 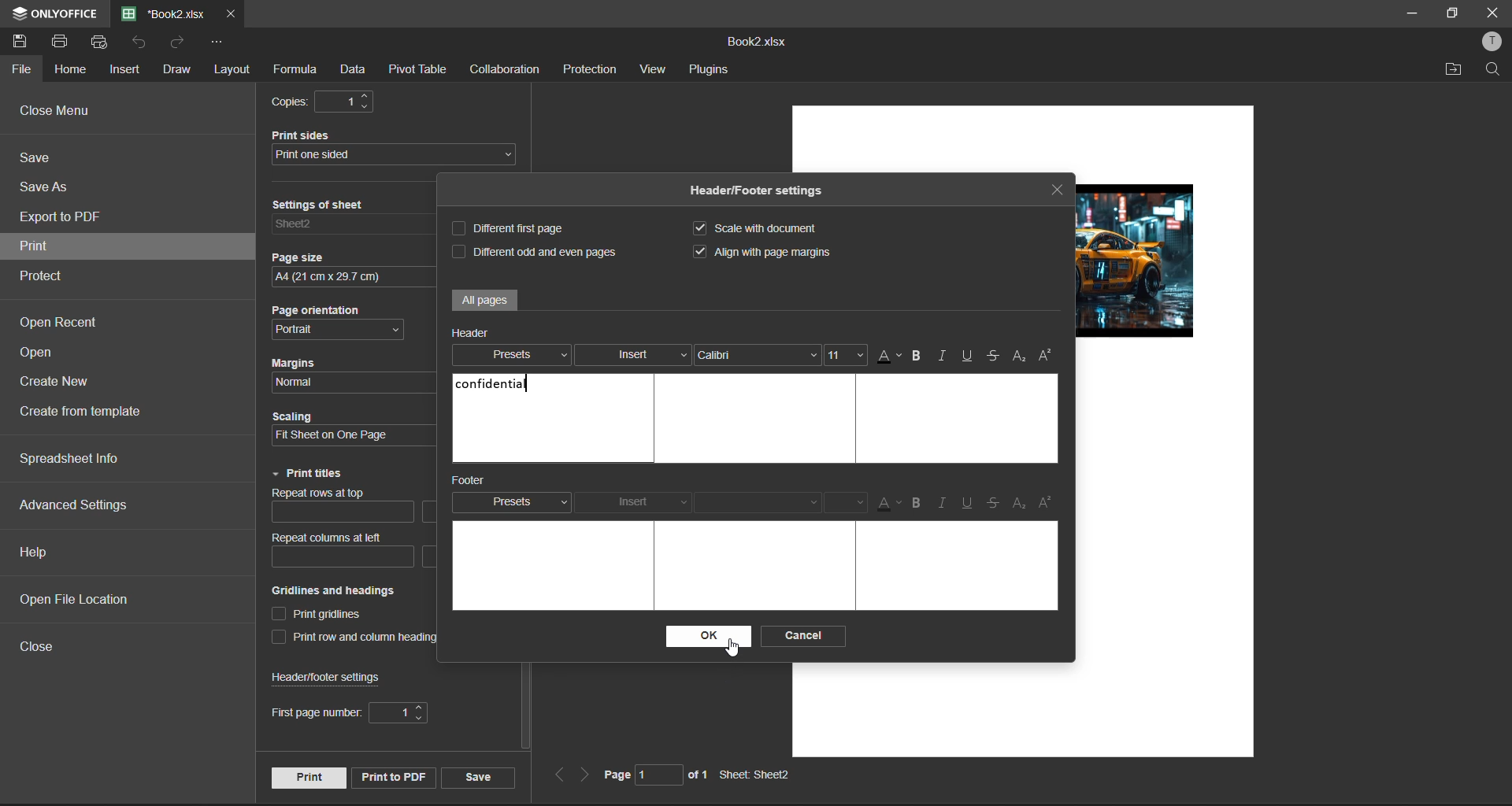 What do you see at coordinates (102, 42) in the screenshot?
I see `quick print` at bounding box center [102, 42].